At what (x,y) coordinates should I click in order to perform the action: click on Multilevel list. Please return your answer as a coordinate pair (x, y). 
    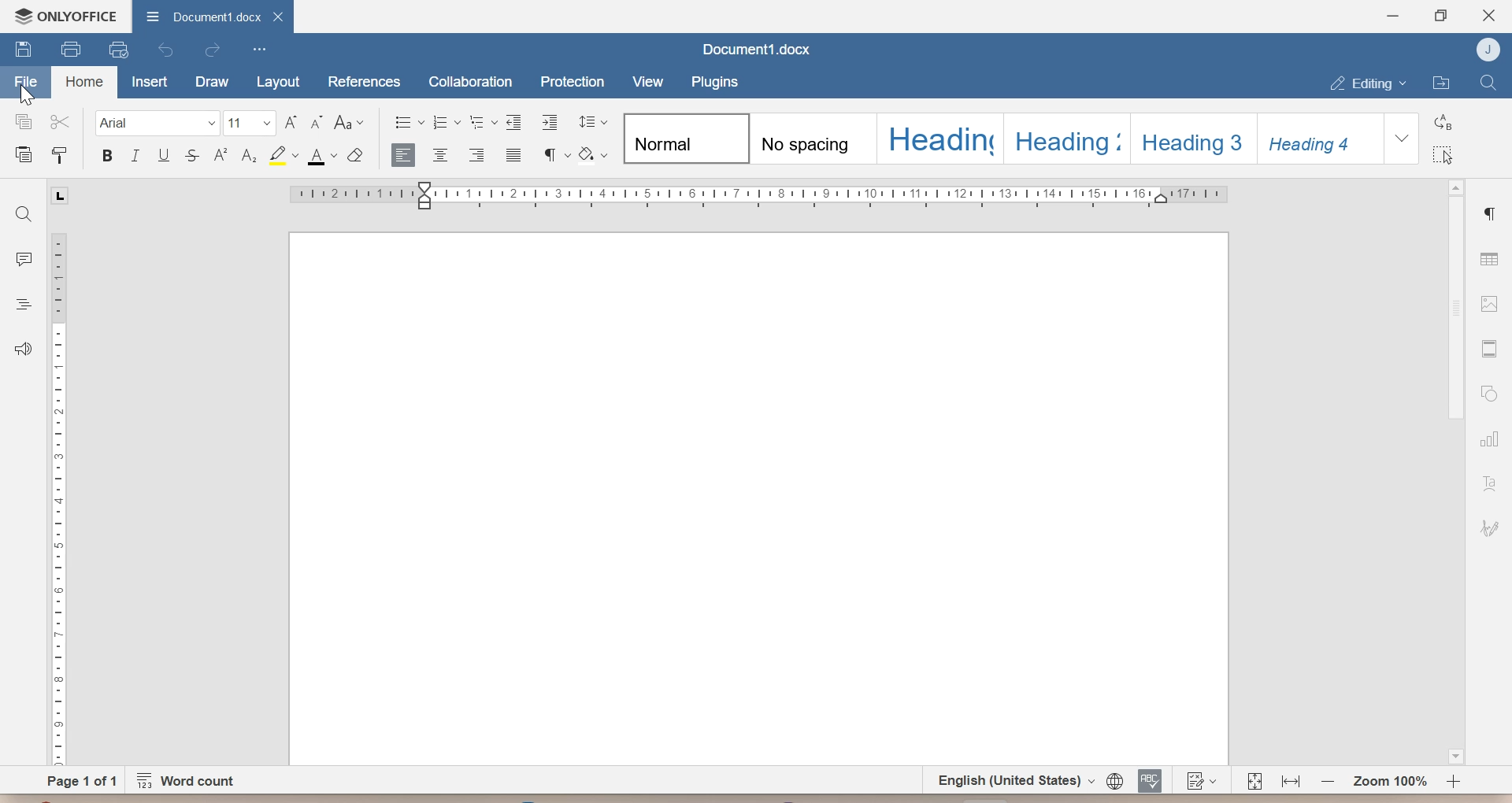
    Looking at the image, I should click on (484, 124).